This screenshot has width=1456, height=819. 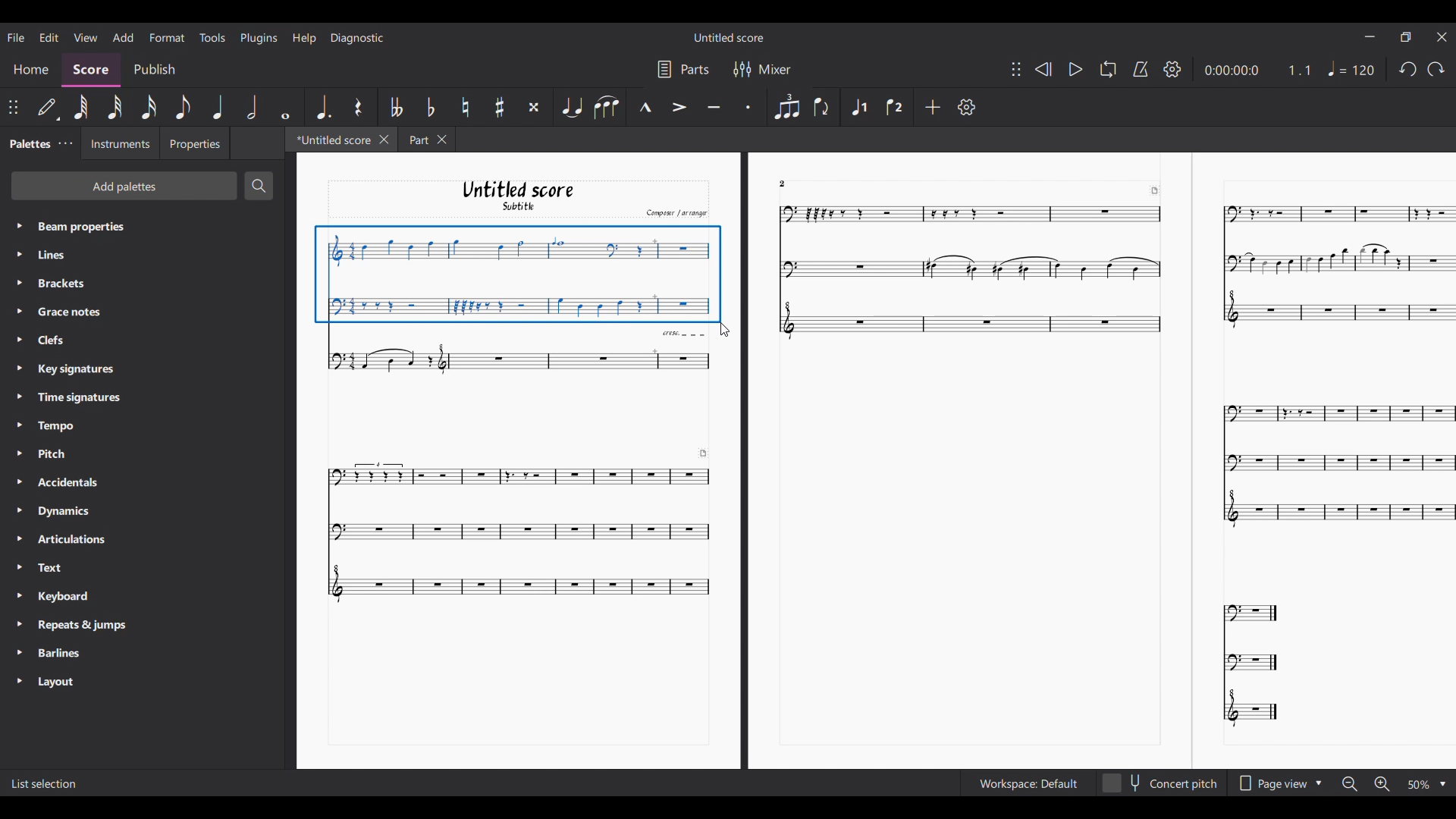 What do you see at coordinates (18, 312) in the screenshot?
I see `` at bounding box center [18, 312].